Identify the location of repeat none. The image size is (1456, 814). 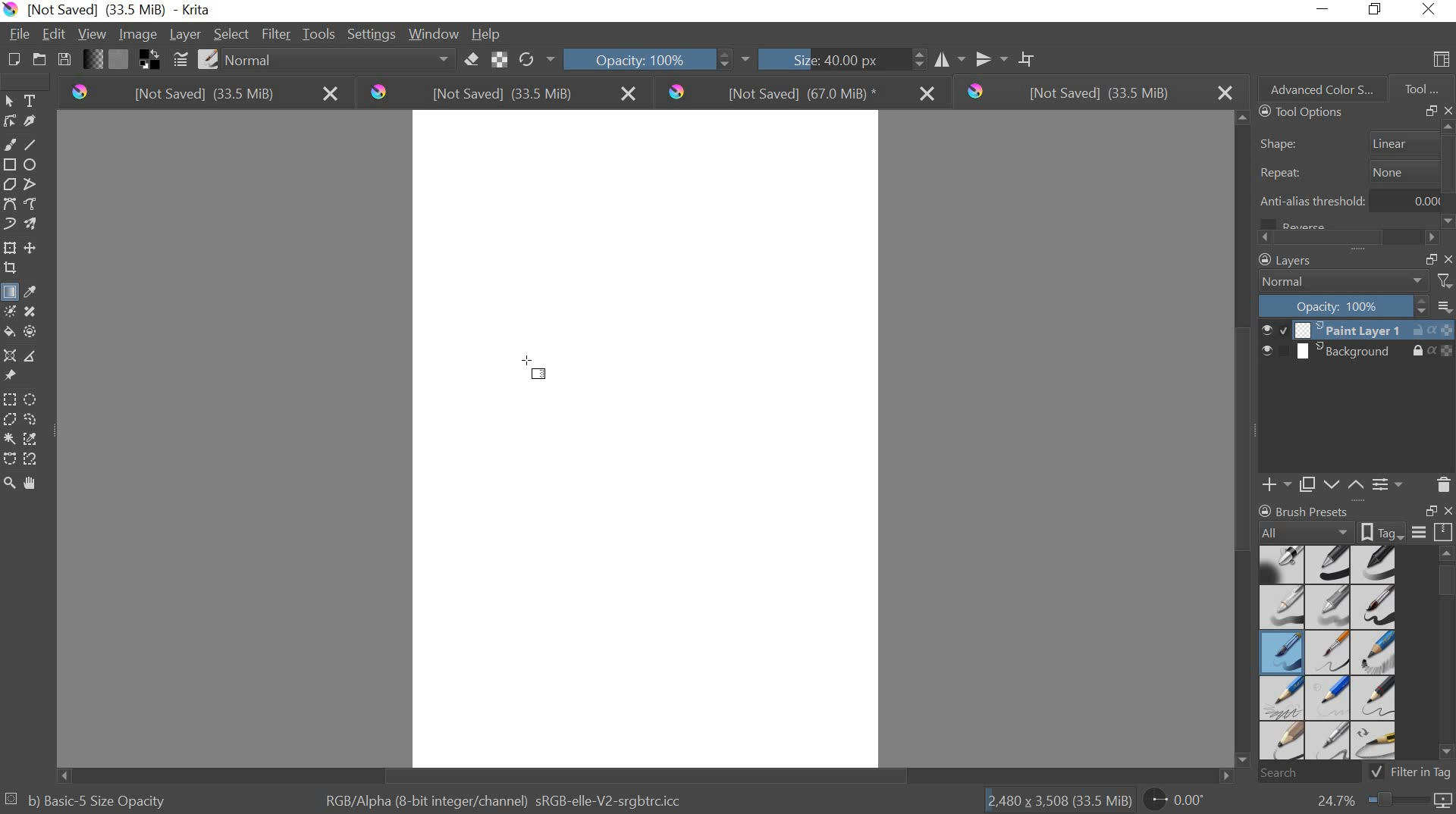
(1348, 173).